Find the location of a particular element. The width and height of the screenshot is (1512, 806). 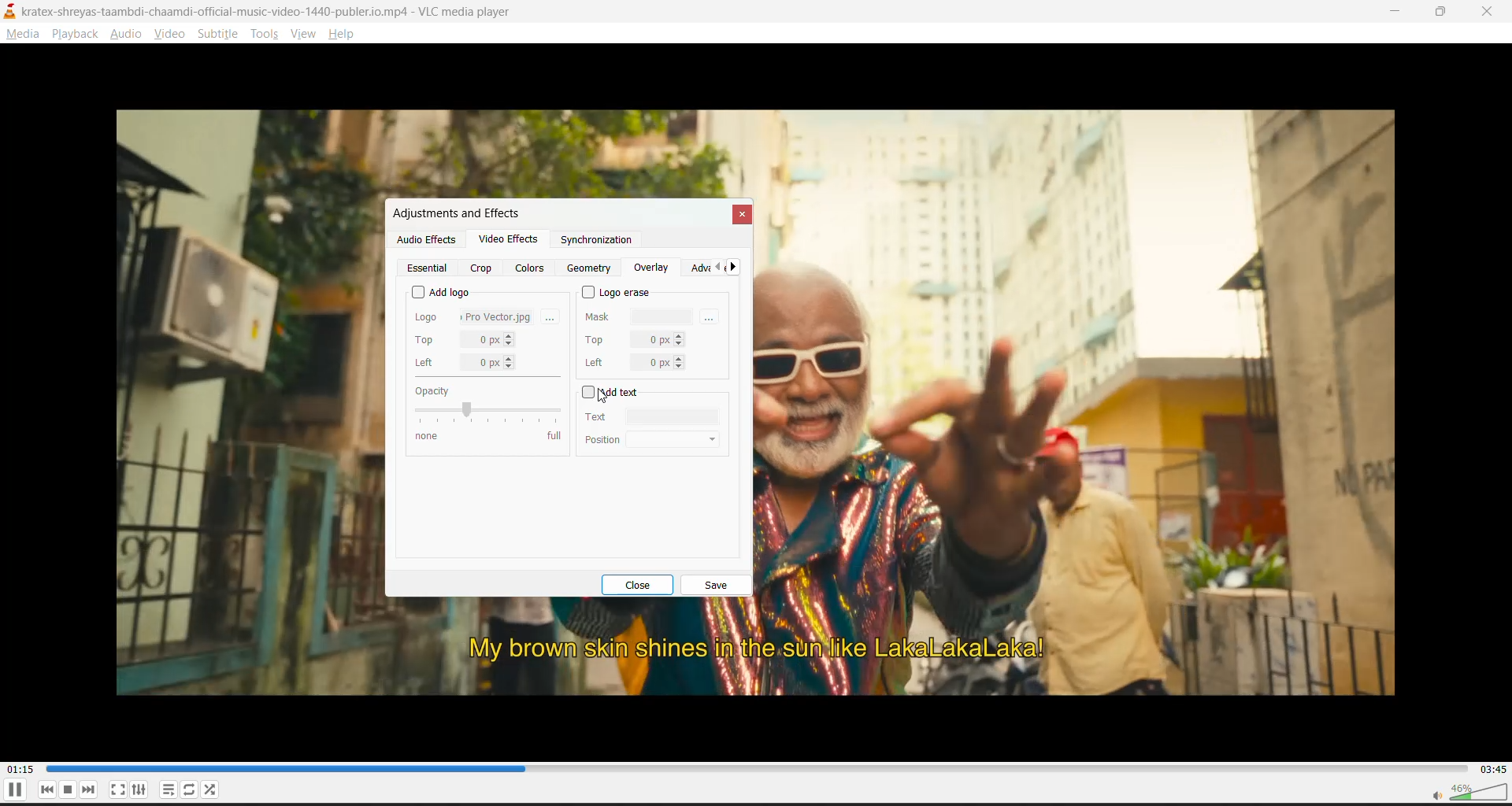

volume is located at coordinates (1464, 792).